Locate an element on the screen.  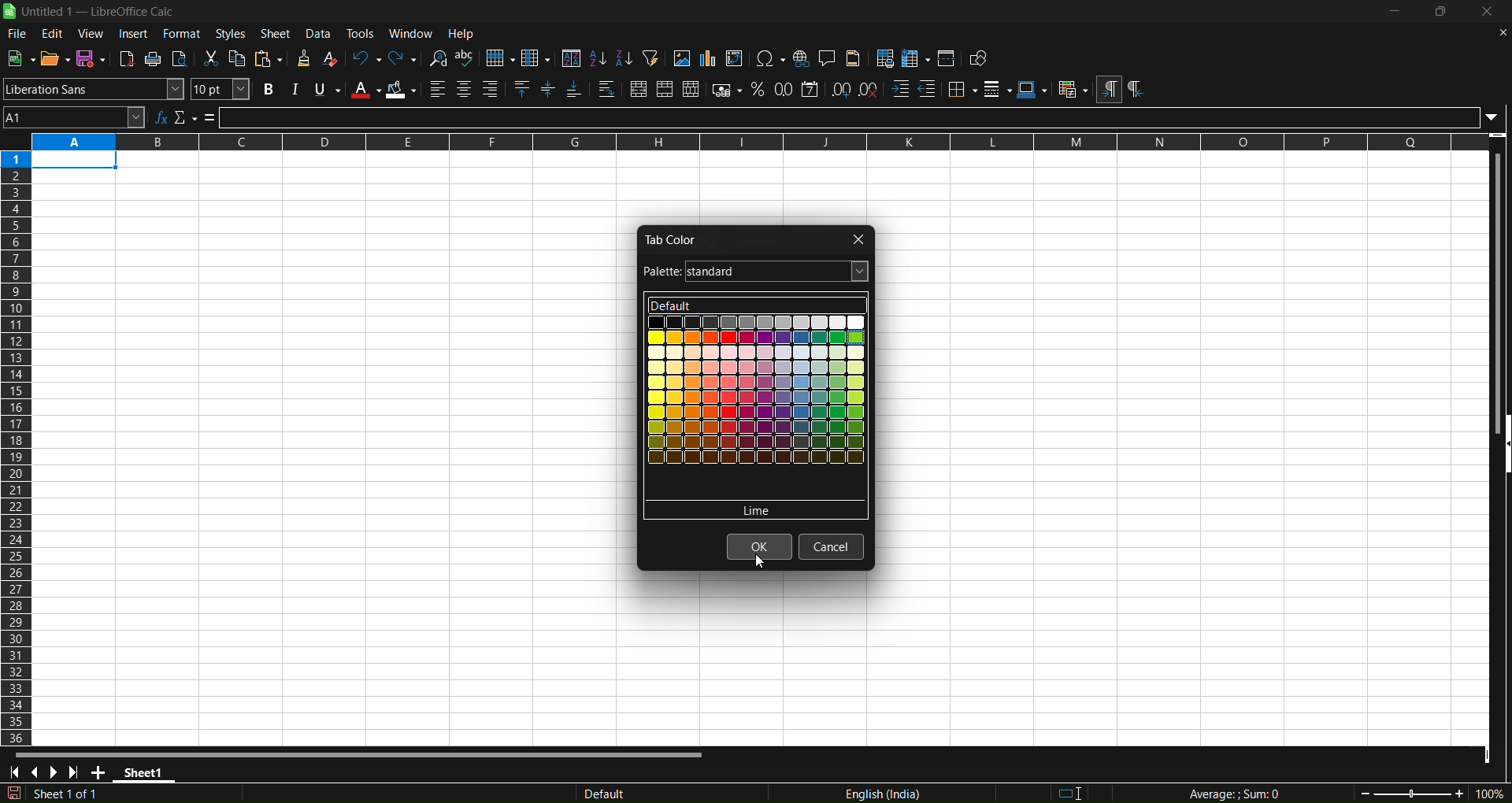
split window is located at coordinates (948, 58).